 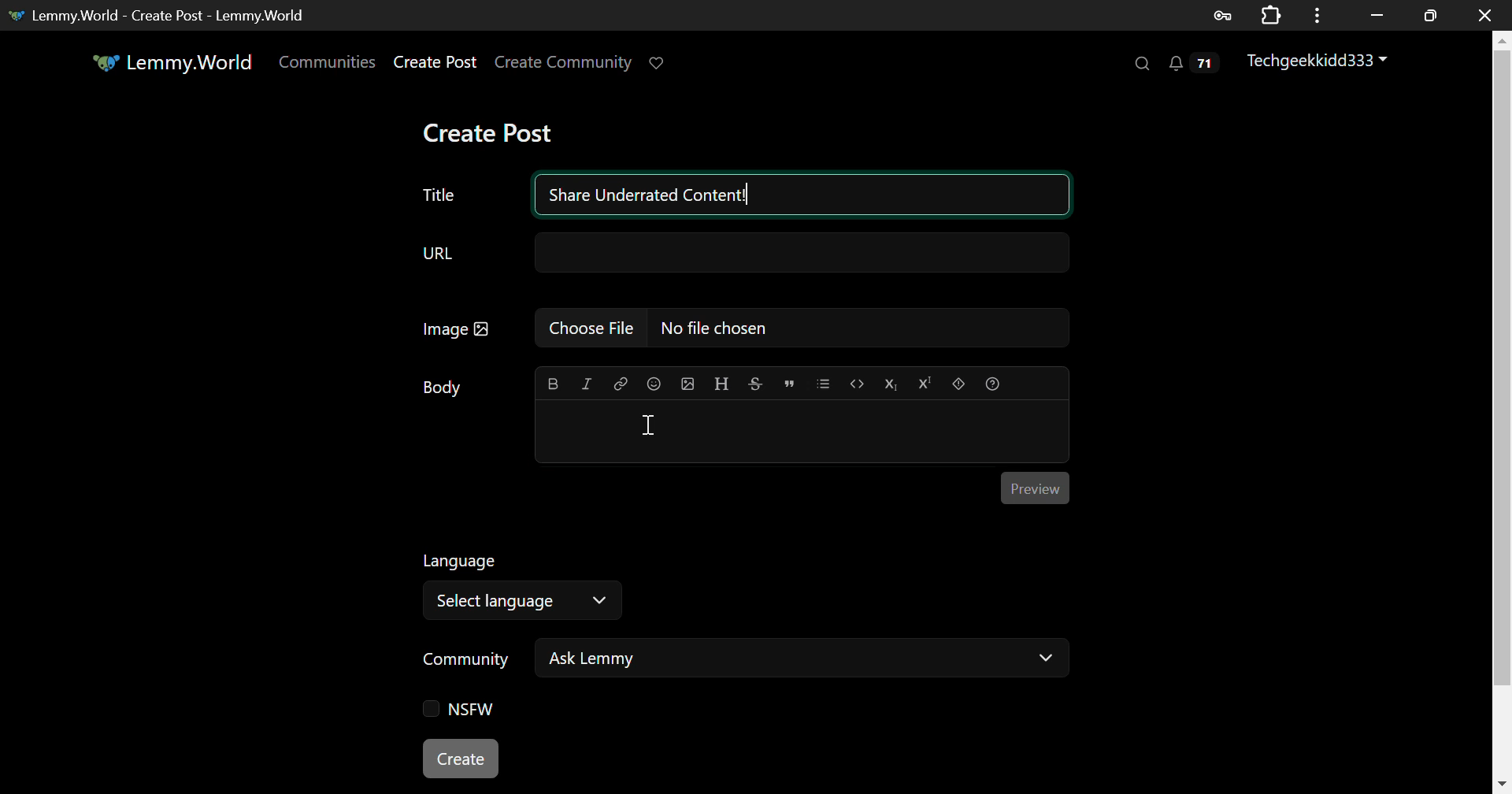 I want to click on Link, so click(x=619, y=382).